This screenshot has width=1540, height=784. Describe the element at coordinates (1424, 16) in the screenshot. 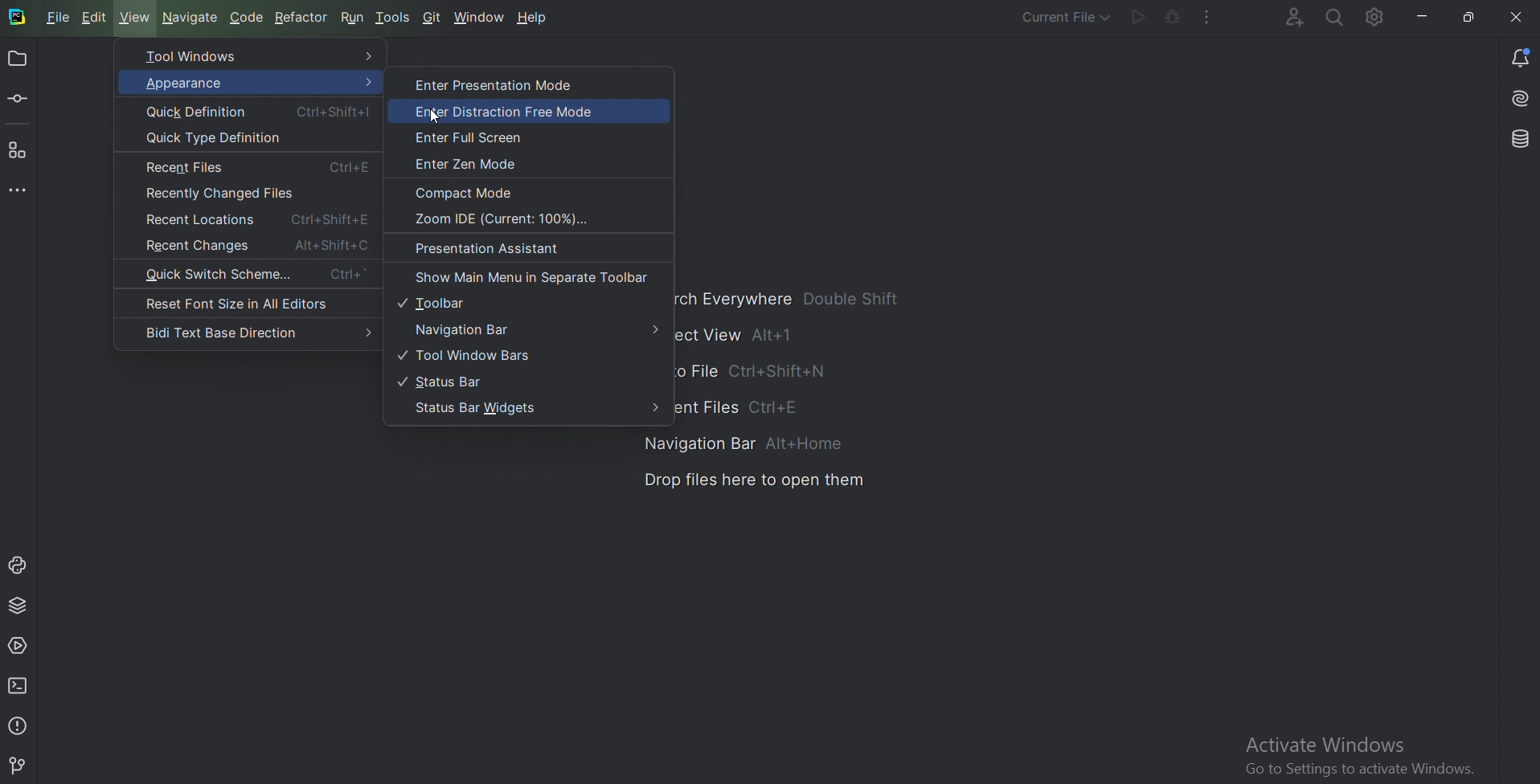

I see `Minimize` at that location.